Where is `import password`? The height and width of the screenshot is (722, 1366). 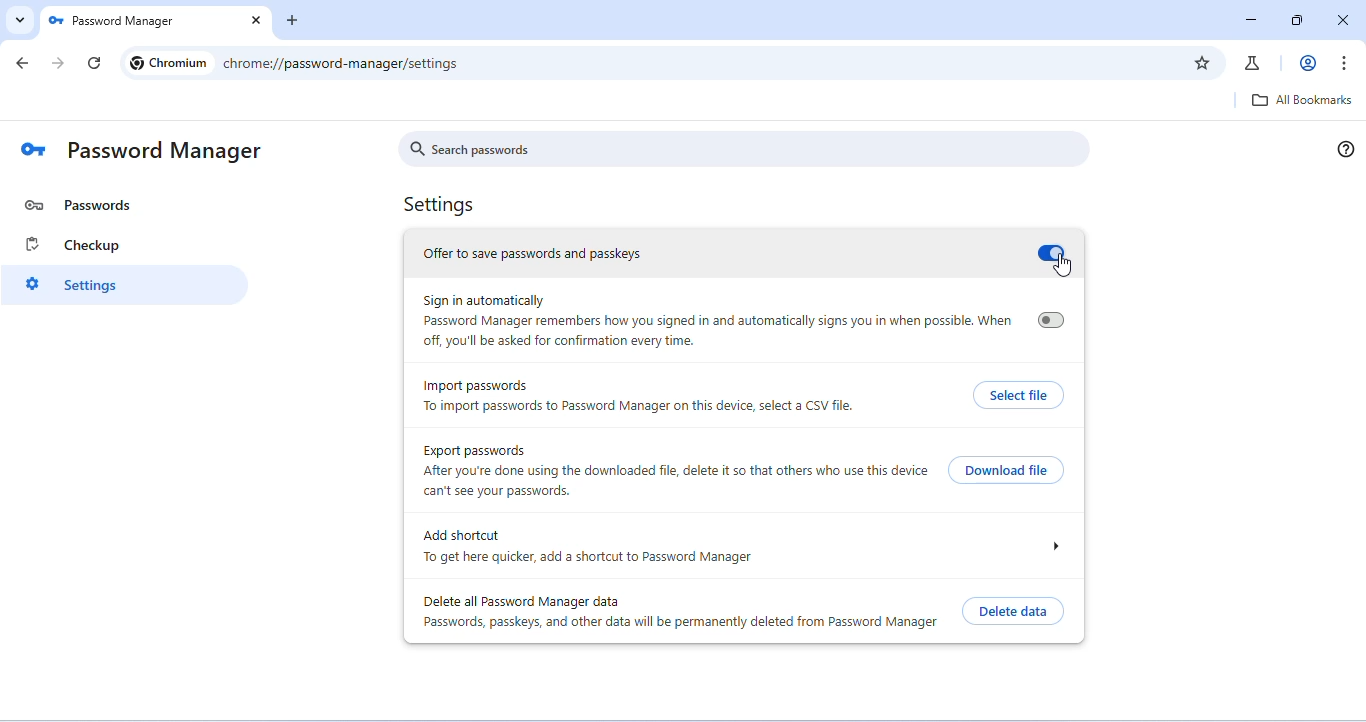
import password is located at coordinates (476, 385).